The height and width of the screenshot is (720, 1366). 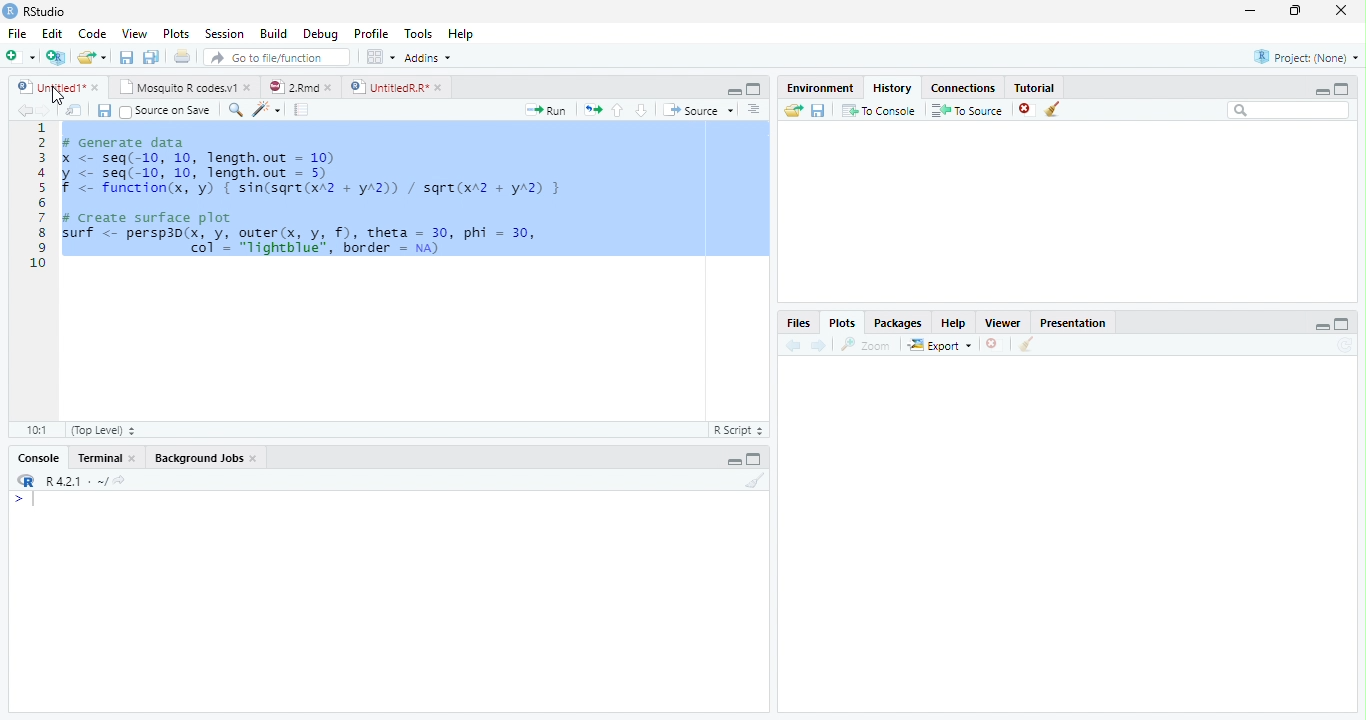 What do you see at coordinates (24, 502) in the screenshot?
I see `New line` at bounding box center [24, 502].